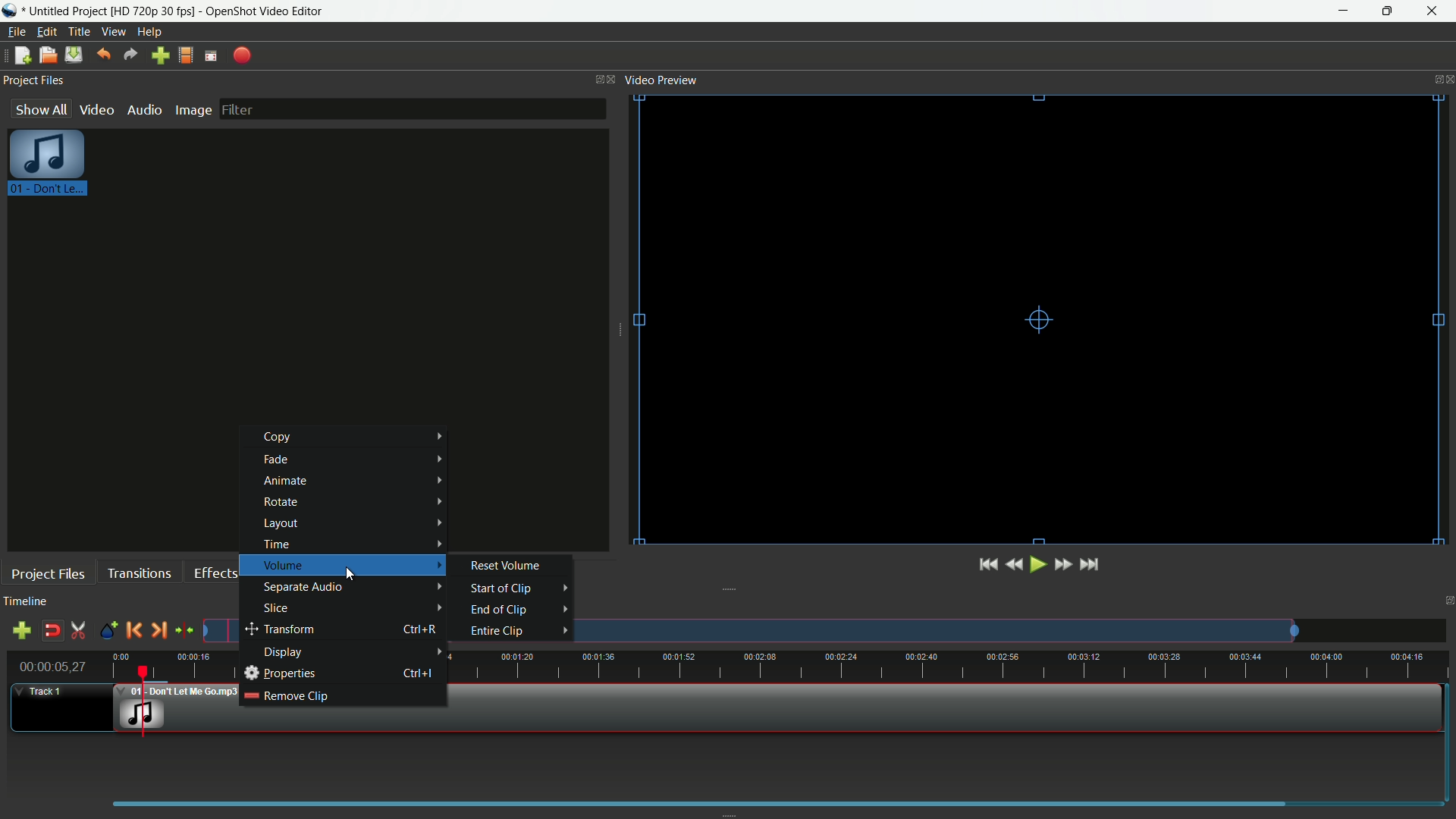 The height and width of the screenshot is (819, 1456). What do you see at coordinates (354, 585) in the screenshot?
I see `separate audio` at bounding box center [354, 585].